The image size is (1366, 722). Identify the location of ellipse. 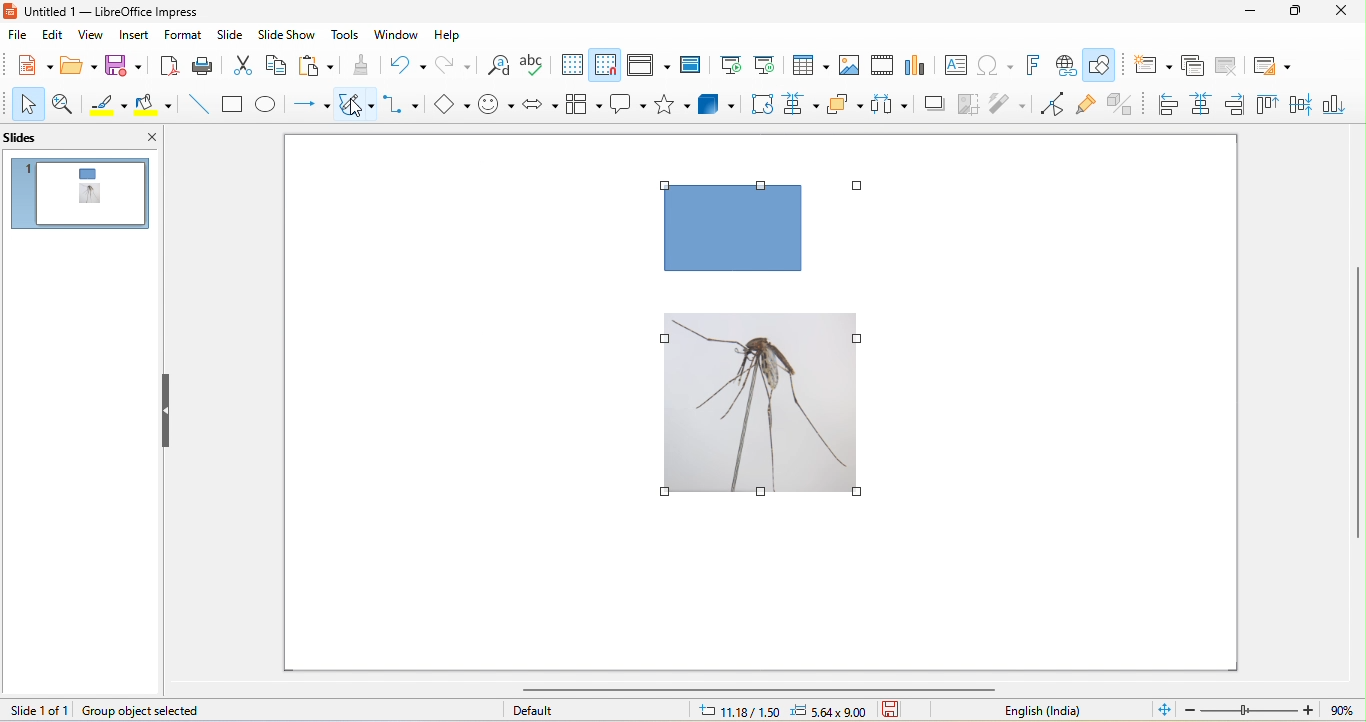
(269, 106).